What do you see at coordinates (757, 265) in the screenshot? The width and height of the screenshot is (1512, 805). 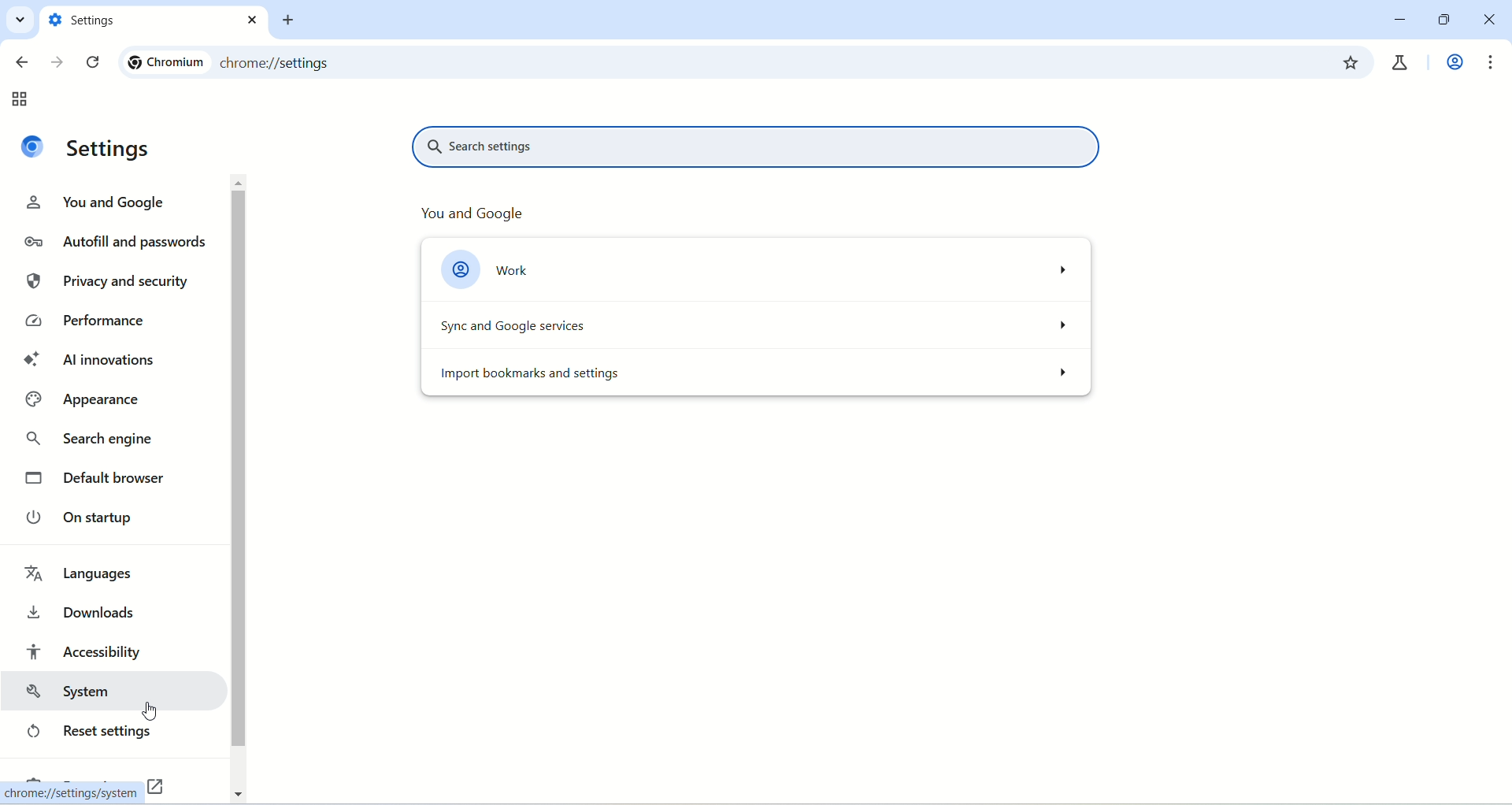 I see `work` at bounding box center [757, 265].